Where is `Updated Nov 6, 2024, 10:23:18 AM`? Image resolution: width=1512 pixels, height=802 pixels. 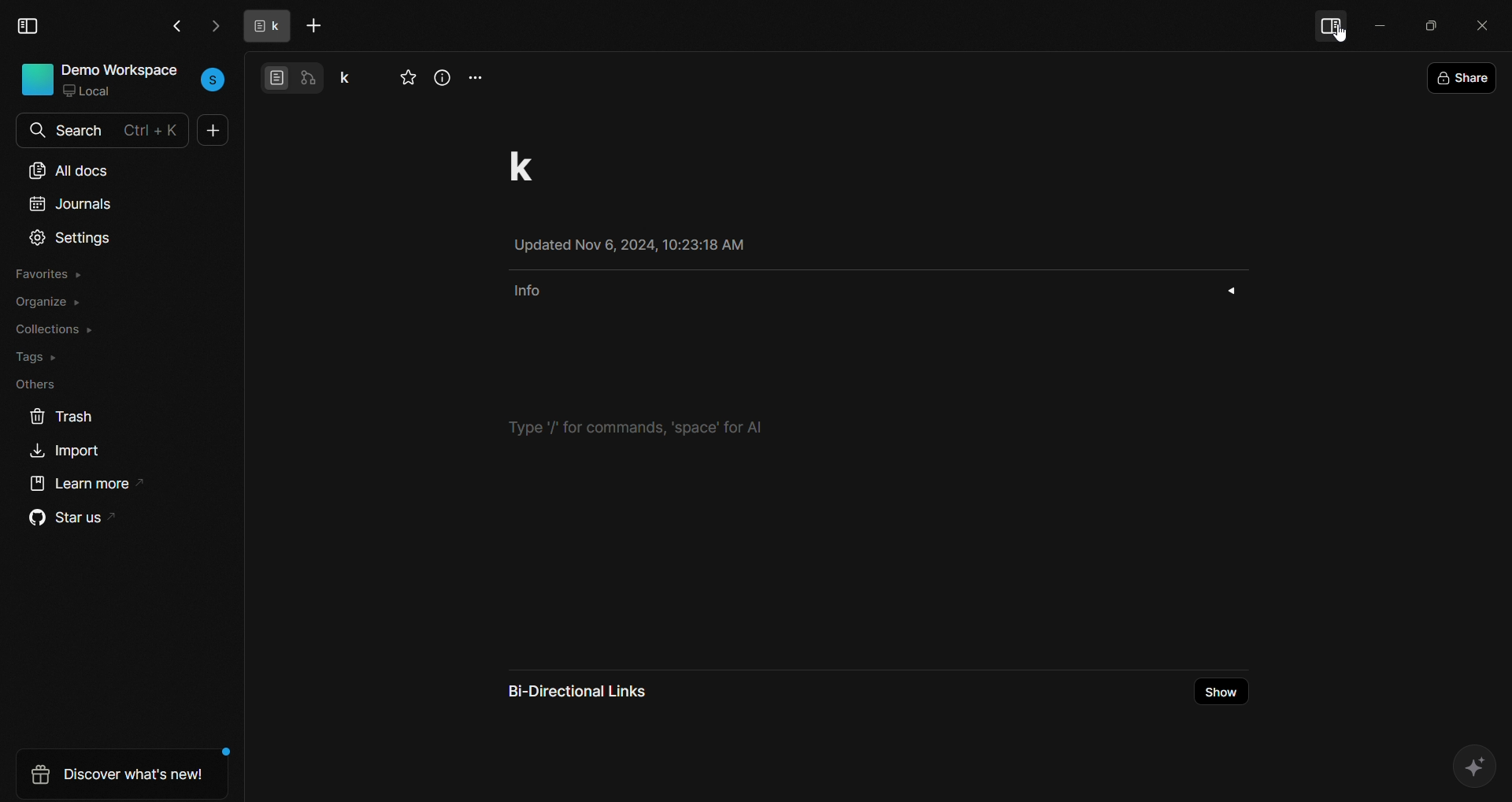
Updated Nov 6, 2024, 10:23:18 AM is located at coordinates (648, 247).